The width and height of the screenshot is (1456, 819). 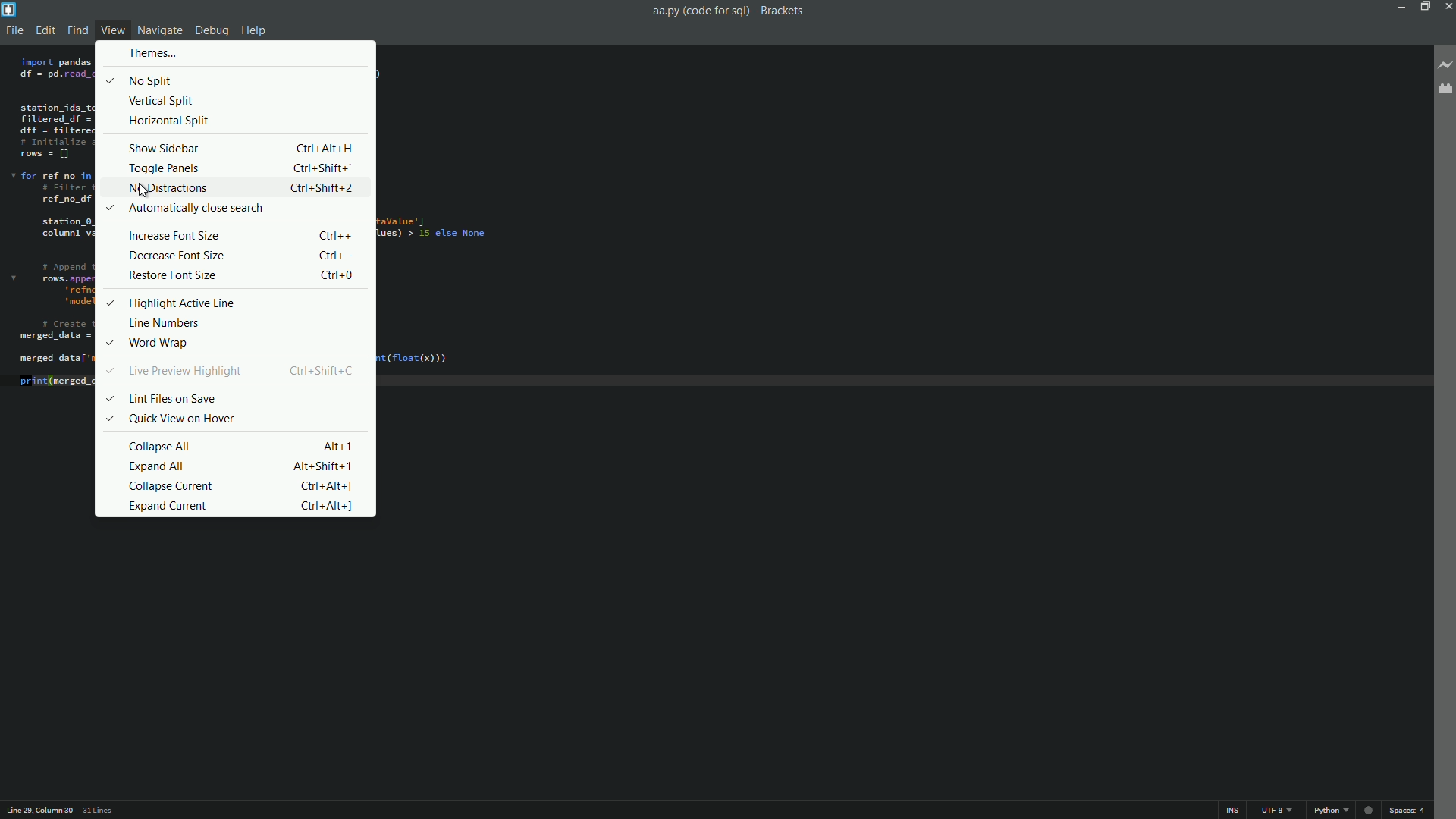 I want to click on minimize button, so click(x=1396, y=6).